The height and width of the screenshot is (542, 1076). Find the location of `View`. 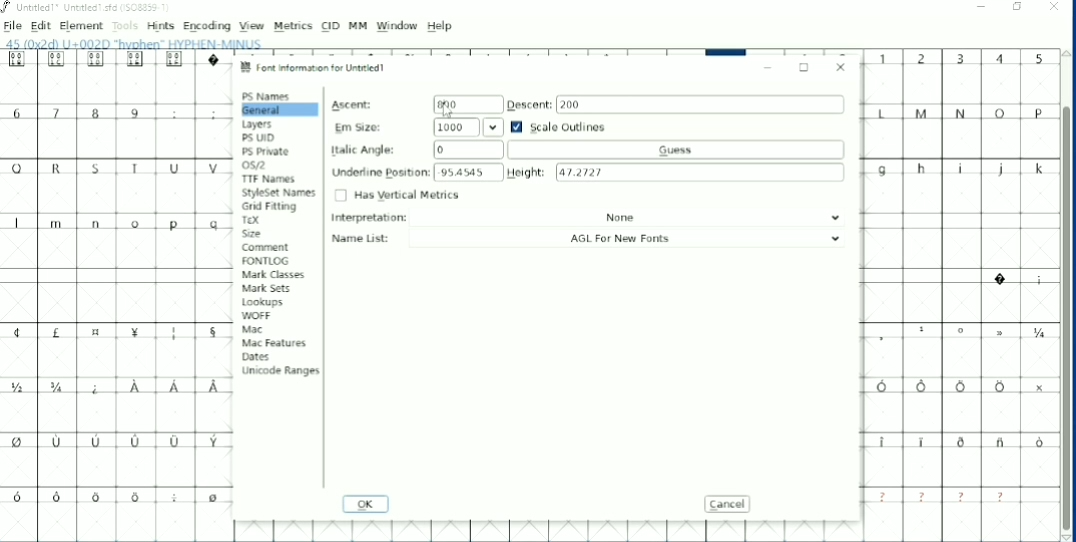

View is located at coordinates (252, 26).